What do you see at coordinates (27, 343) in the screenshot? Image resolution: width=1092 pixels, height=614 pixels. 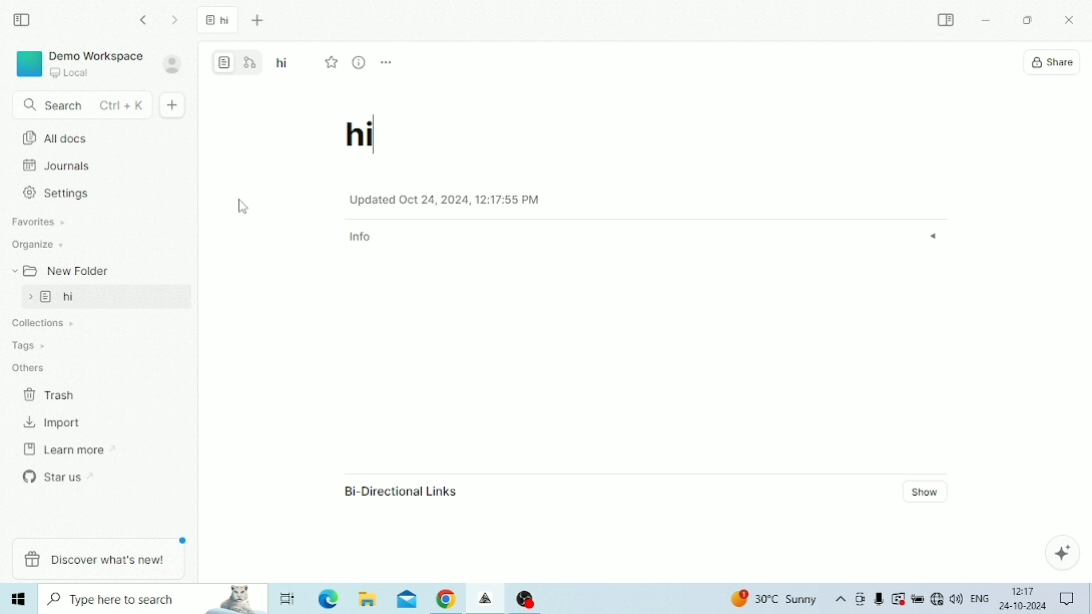 I see `Tags` at bounding box center [27, 343].